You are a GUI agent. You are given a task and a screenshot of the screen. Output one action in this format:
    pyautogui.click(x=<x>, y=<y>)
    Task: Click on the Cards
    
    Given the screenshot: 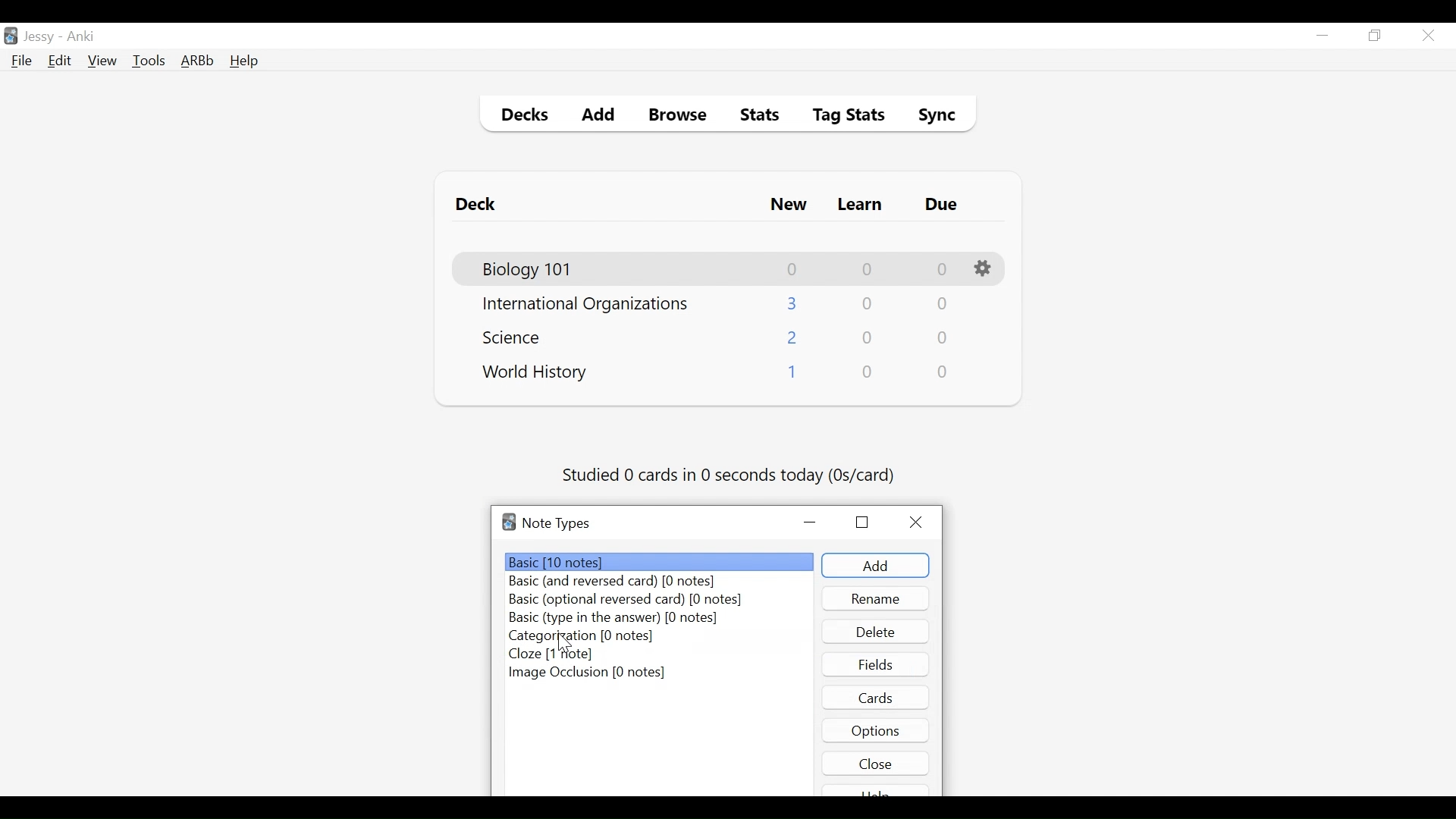 What is the action you would take?
    pyautogui.click(x=877, y=697)
    